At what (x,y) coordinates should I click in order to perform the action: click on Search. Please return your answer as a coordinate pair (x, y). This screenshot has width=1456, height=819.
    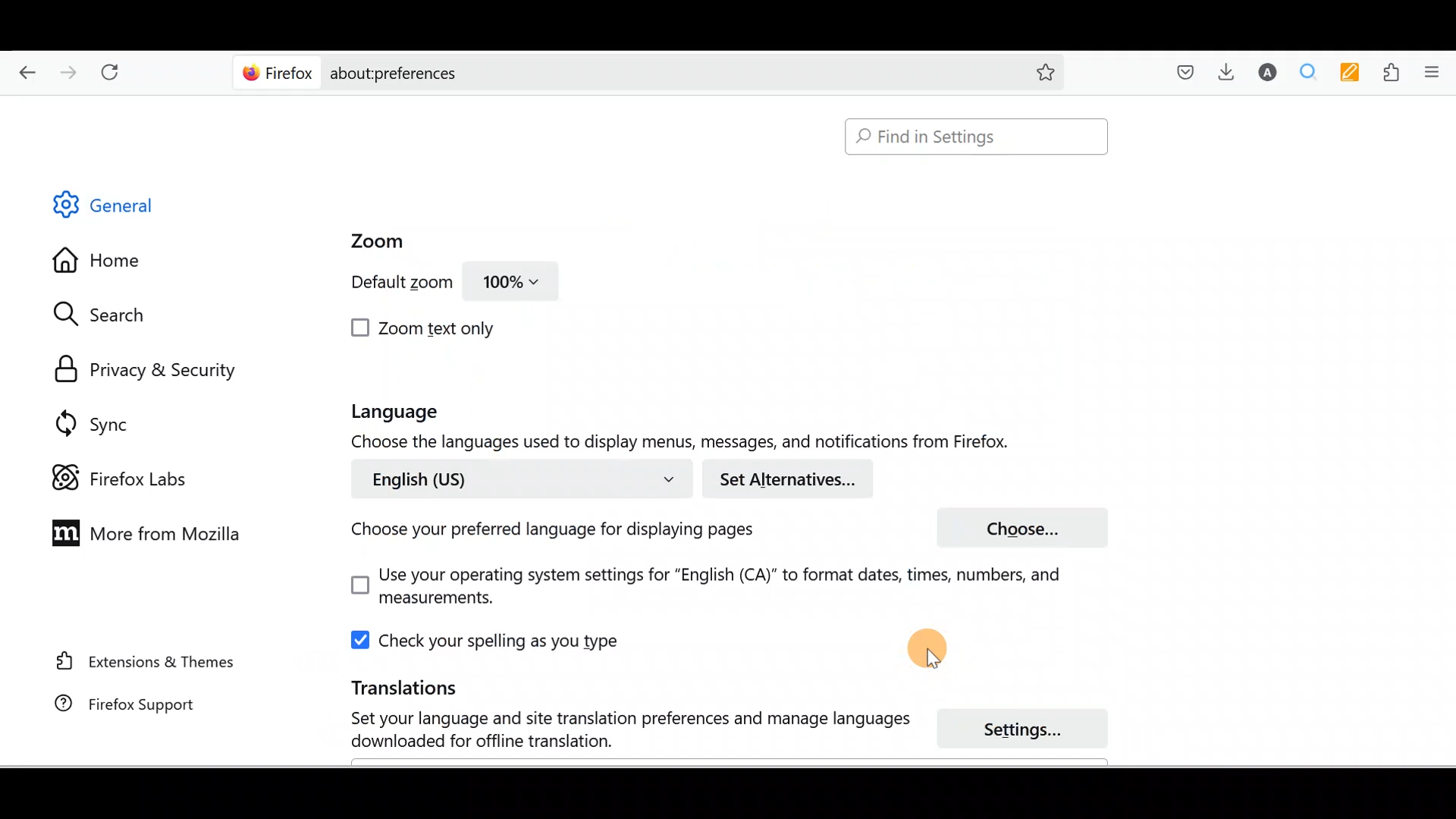
    Looking at the image, I should click on (107, 314).